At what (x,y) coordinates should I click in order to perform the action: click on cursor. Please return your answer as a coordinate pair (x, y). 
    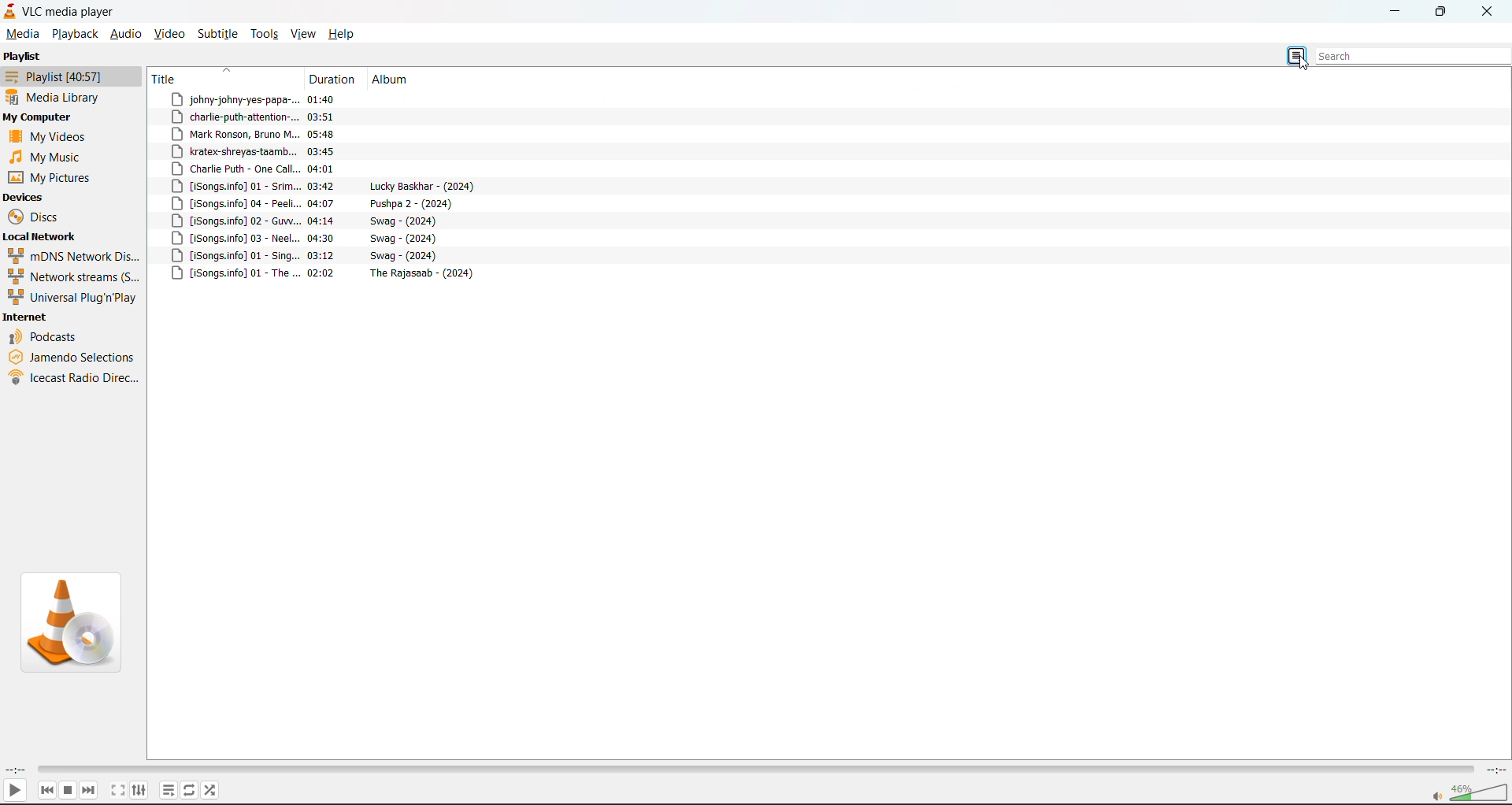
    Looking at the image, I should click on (1308, 65).